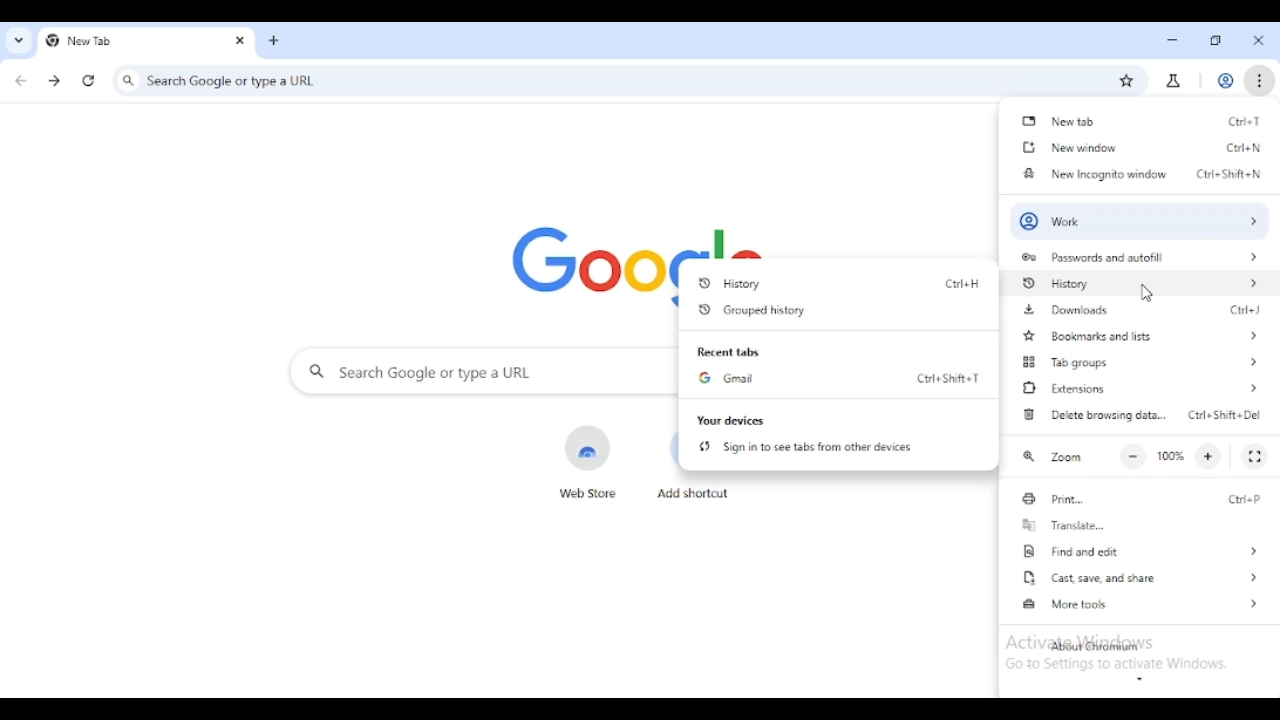  Describe the element at coordinates (1226, 415) in the screenshot. I see `shortcut for delete browsing data` at that location.